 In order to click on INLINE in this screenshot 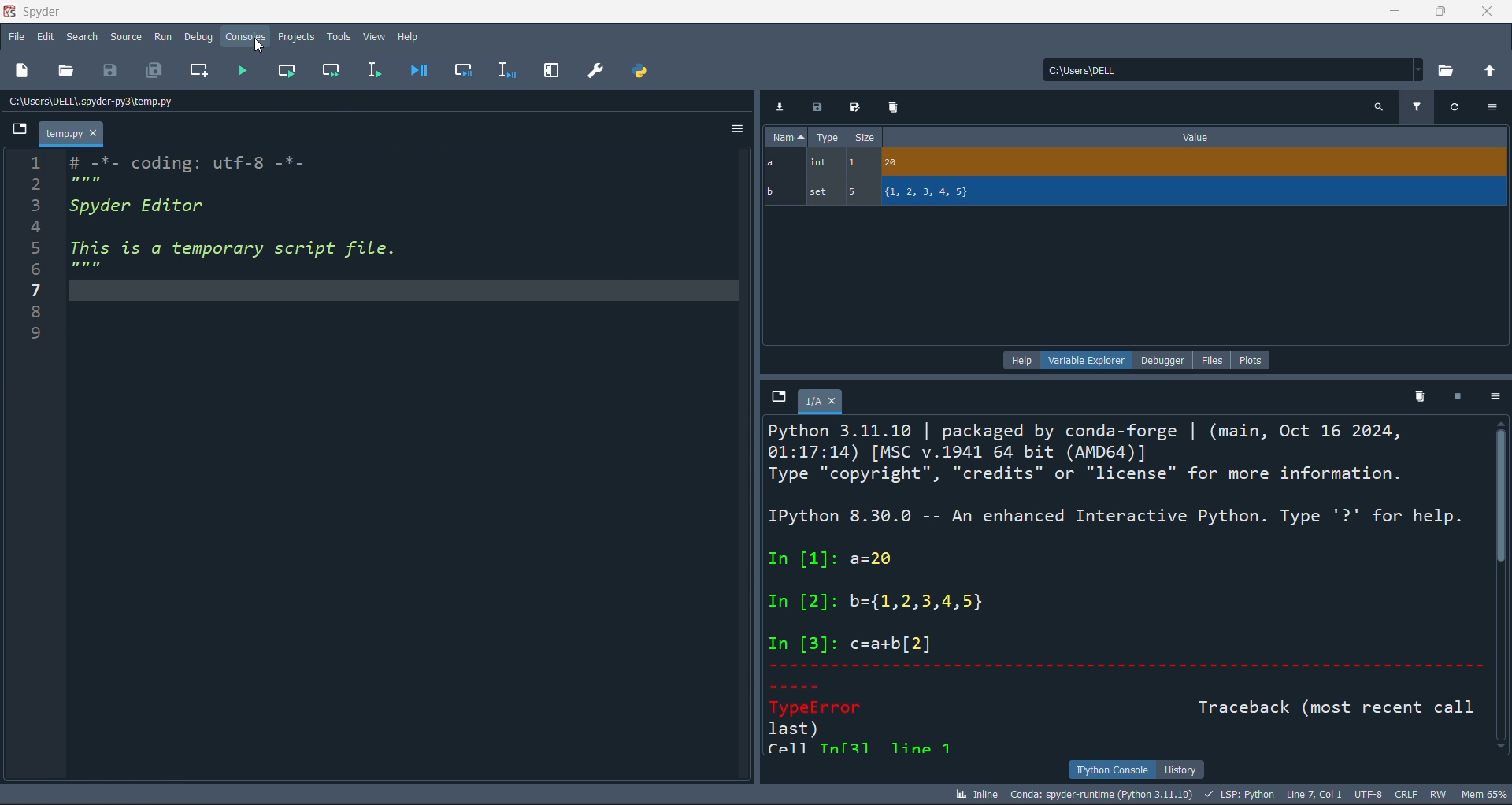, I will do `click(976, 793)`.